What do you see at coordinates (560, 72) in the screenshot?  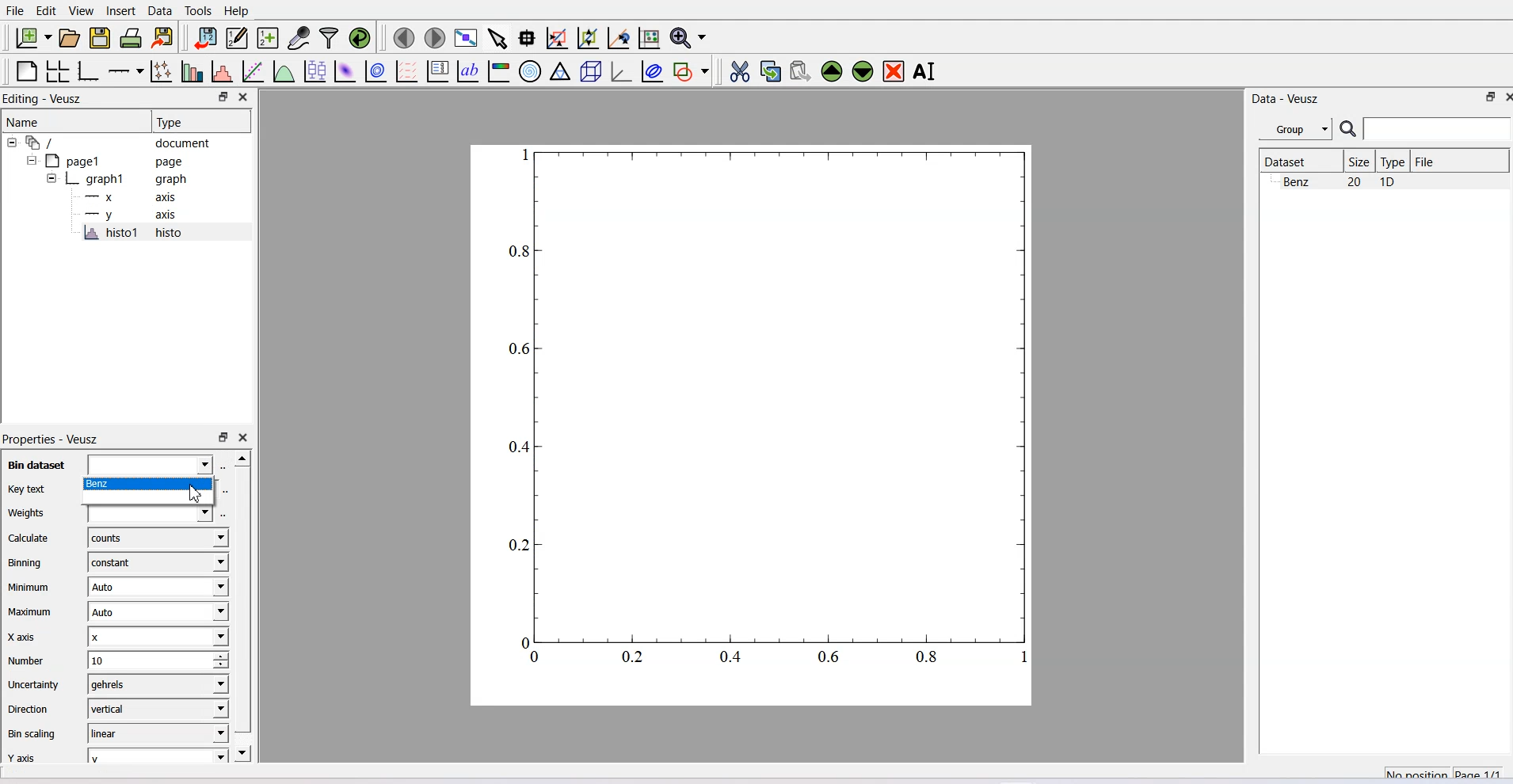 I see `Ternary Graph` at bounding box center [560, 72].